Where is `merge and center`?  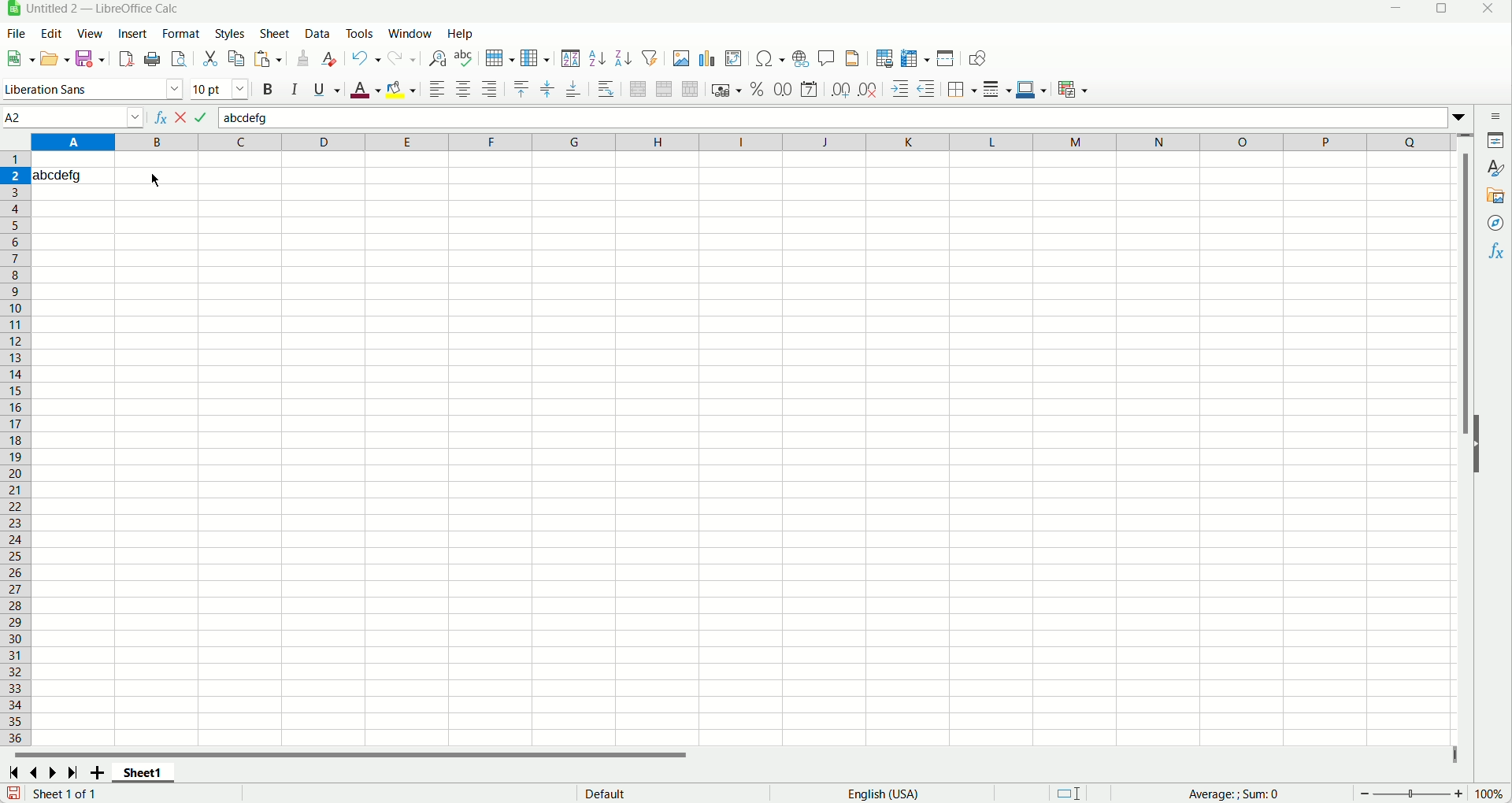 merge and center is located at coordinates (638, 88).